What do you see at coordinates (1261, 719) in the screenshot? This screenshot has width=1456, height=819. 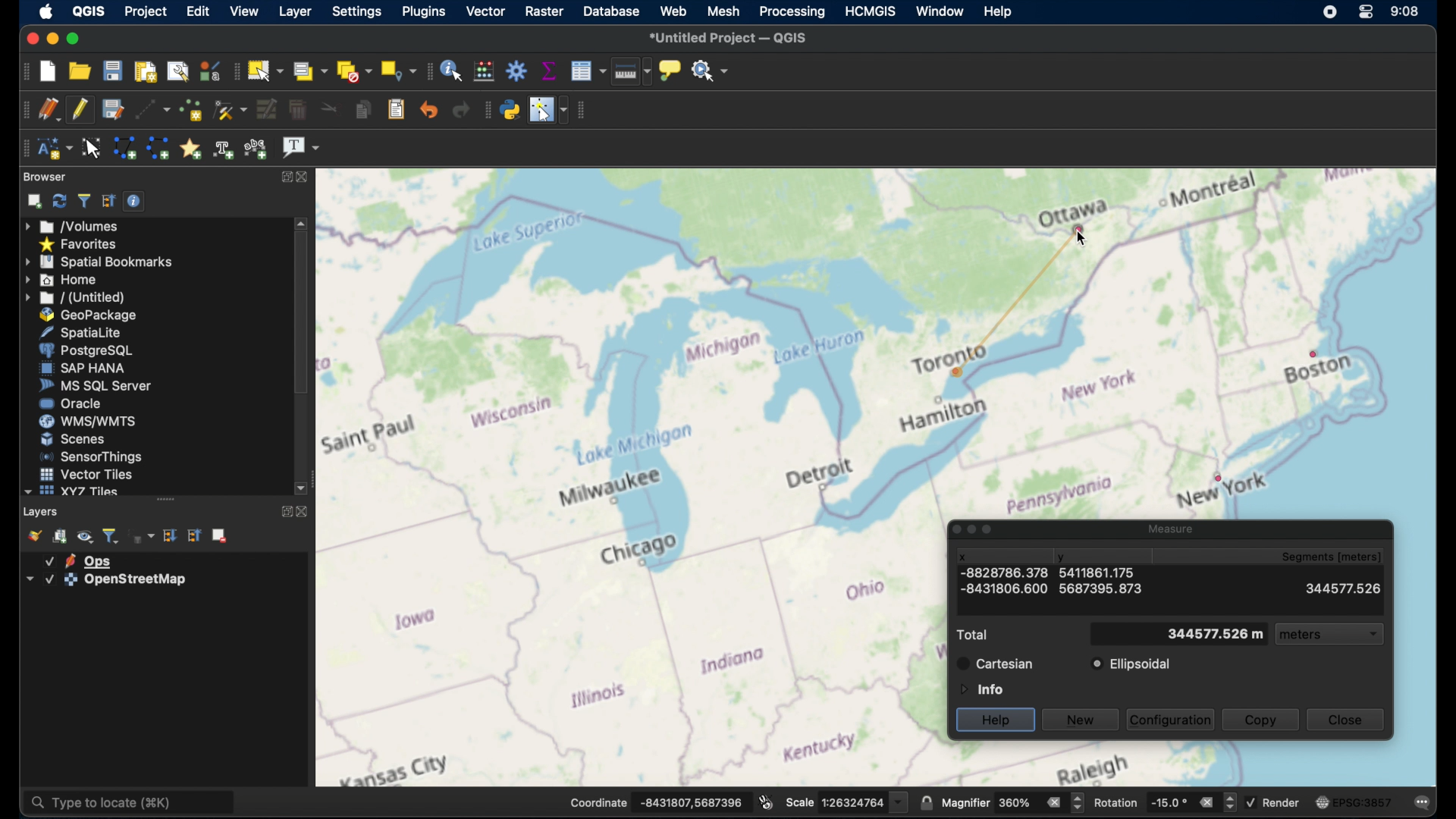 I see `copy` at bounding box center [1261, 719].